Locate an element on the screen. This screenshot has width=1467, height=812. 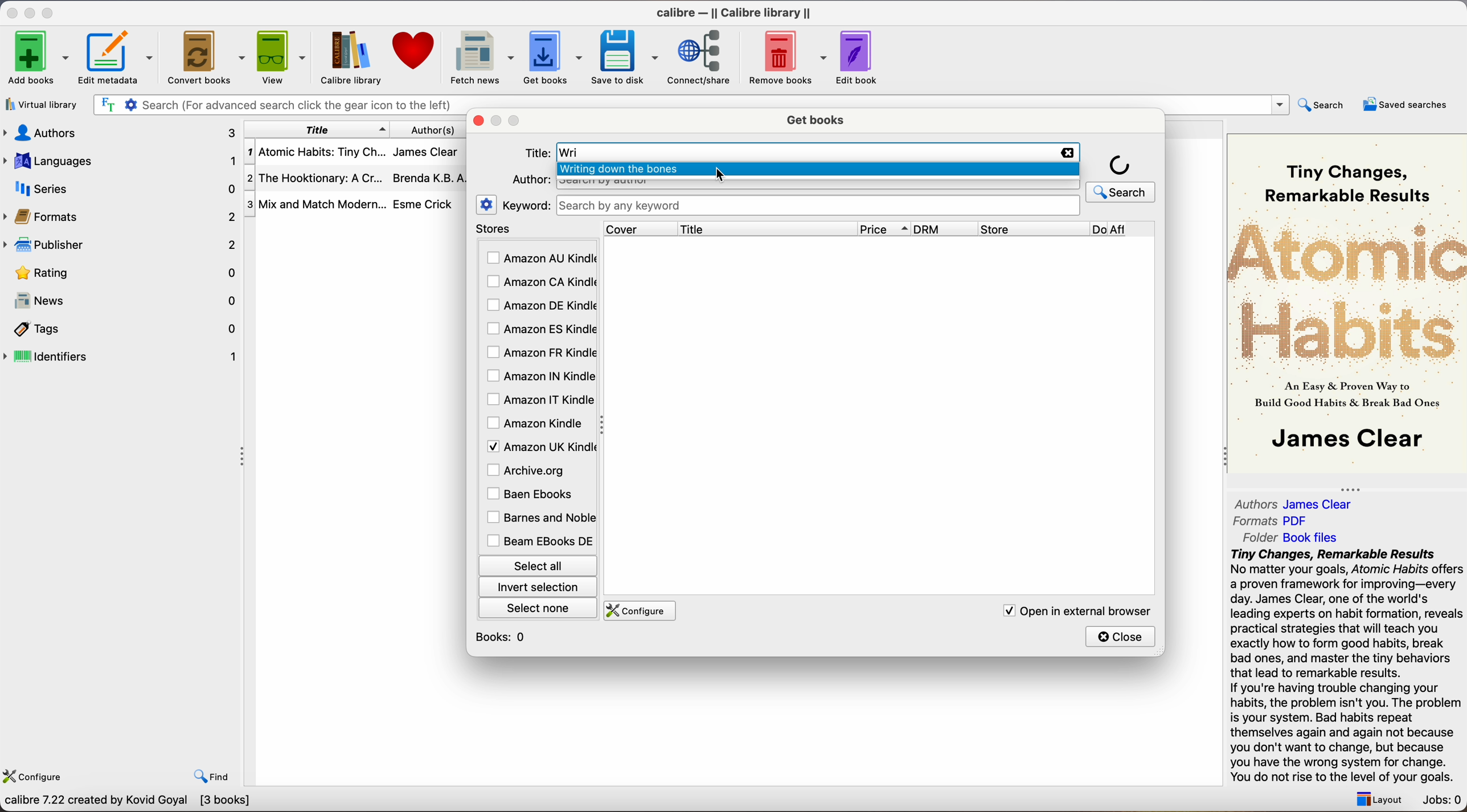
search bar is located at coordinates (276, 105).